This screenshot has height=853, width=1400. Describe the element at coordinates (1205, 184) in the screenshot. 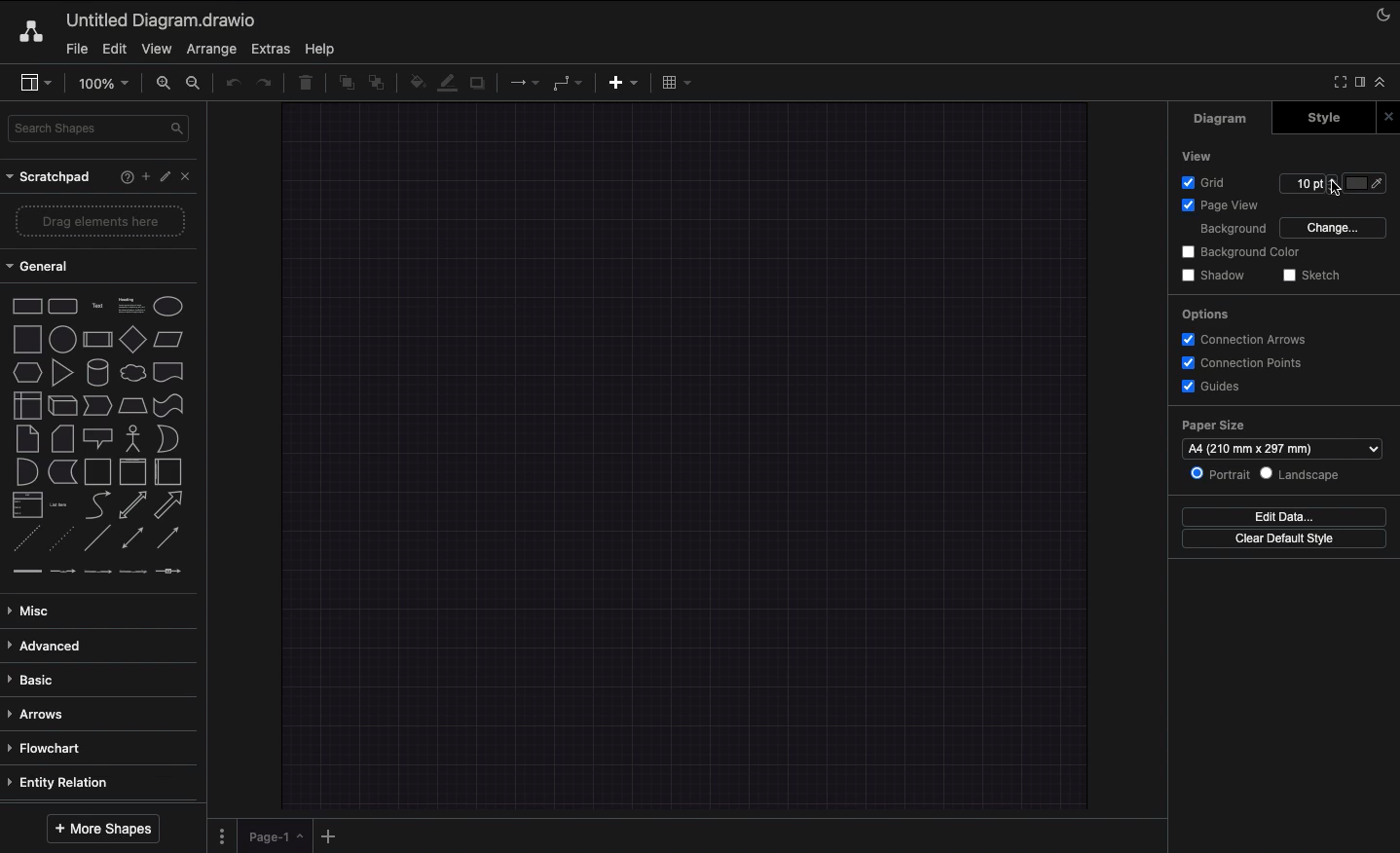

I see `Grid` at that location.